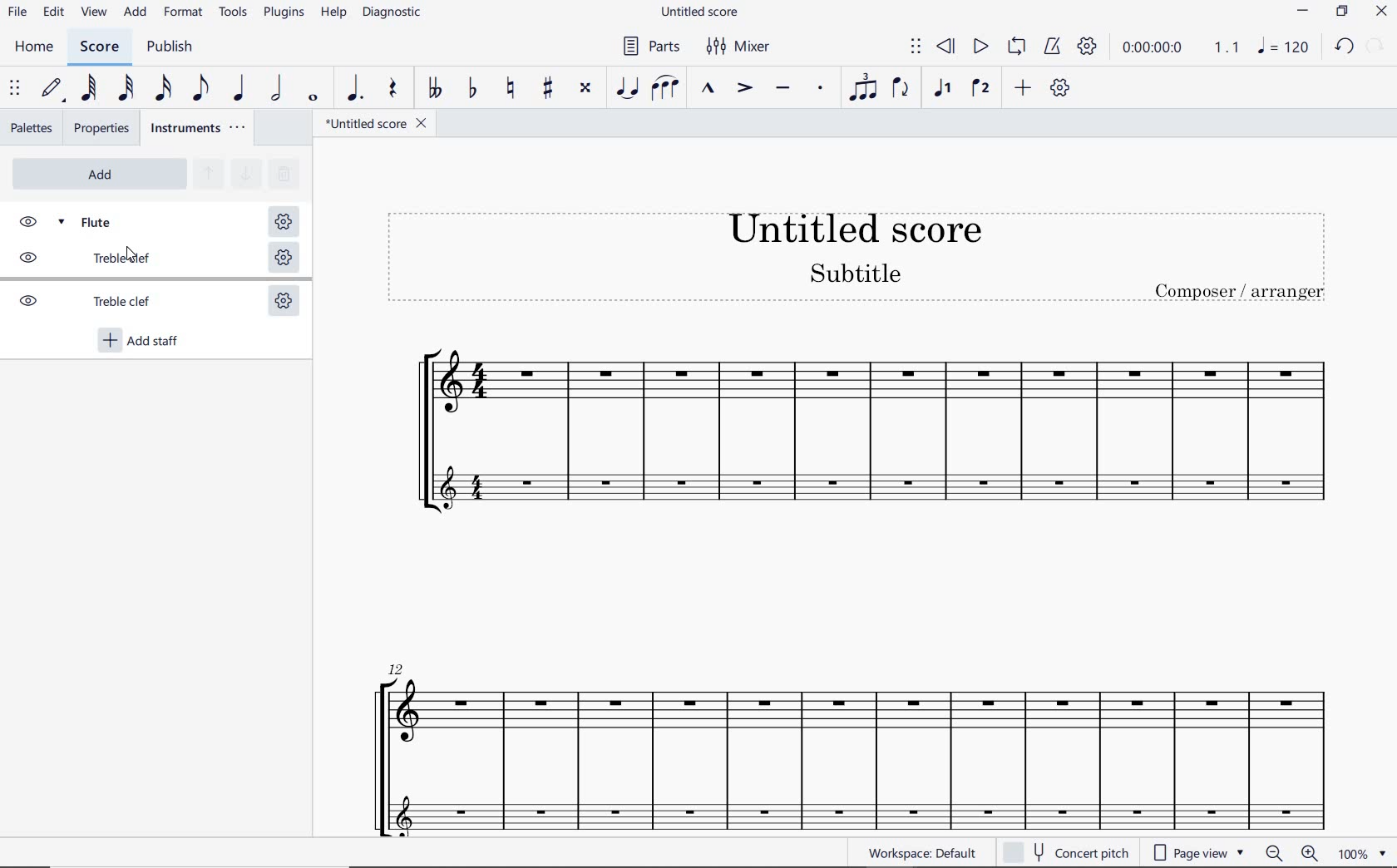  What do you see at coordinates (207, 175) in the screenshot?
I see `MOVE SELECTED INSTRUMENT UP` at bounding box center [207, 175].